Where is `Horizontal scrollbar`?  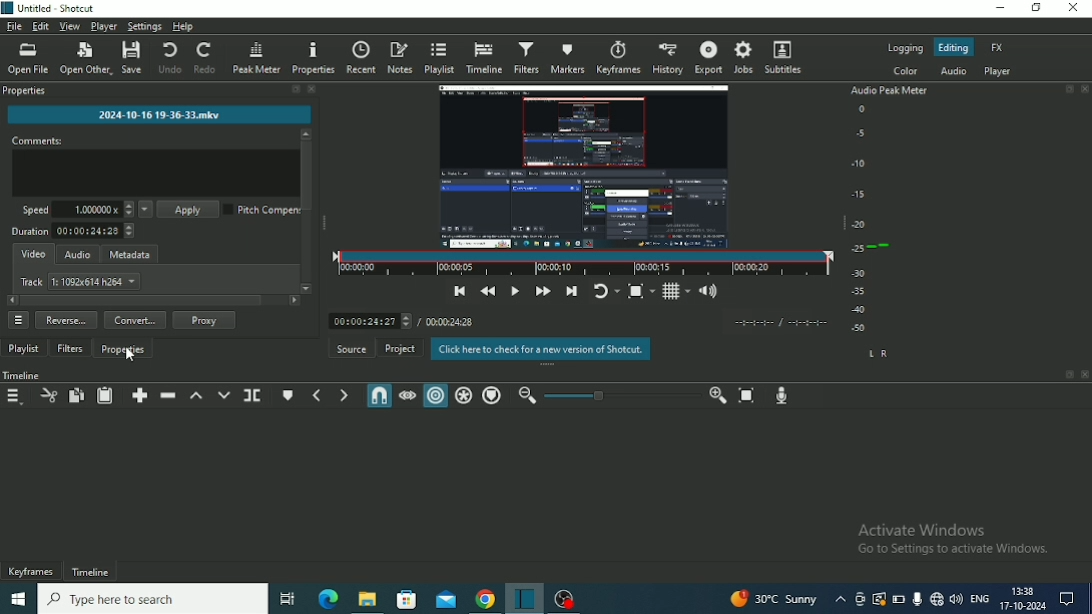
Horizontal scrollbar is located at coordinates (142, 300).